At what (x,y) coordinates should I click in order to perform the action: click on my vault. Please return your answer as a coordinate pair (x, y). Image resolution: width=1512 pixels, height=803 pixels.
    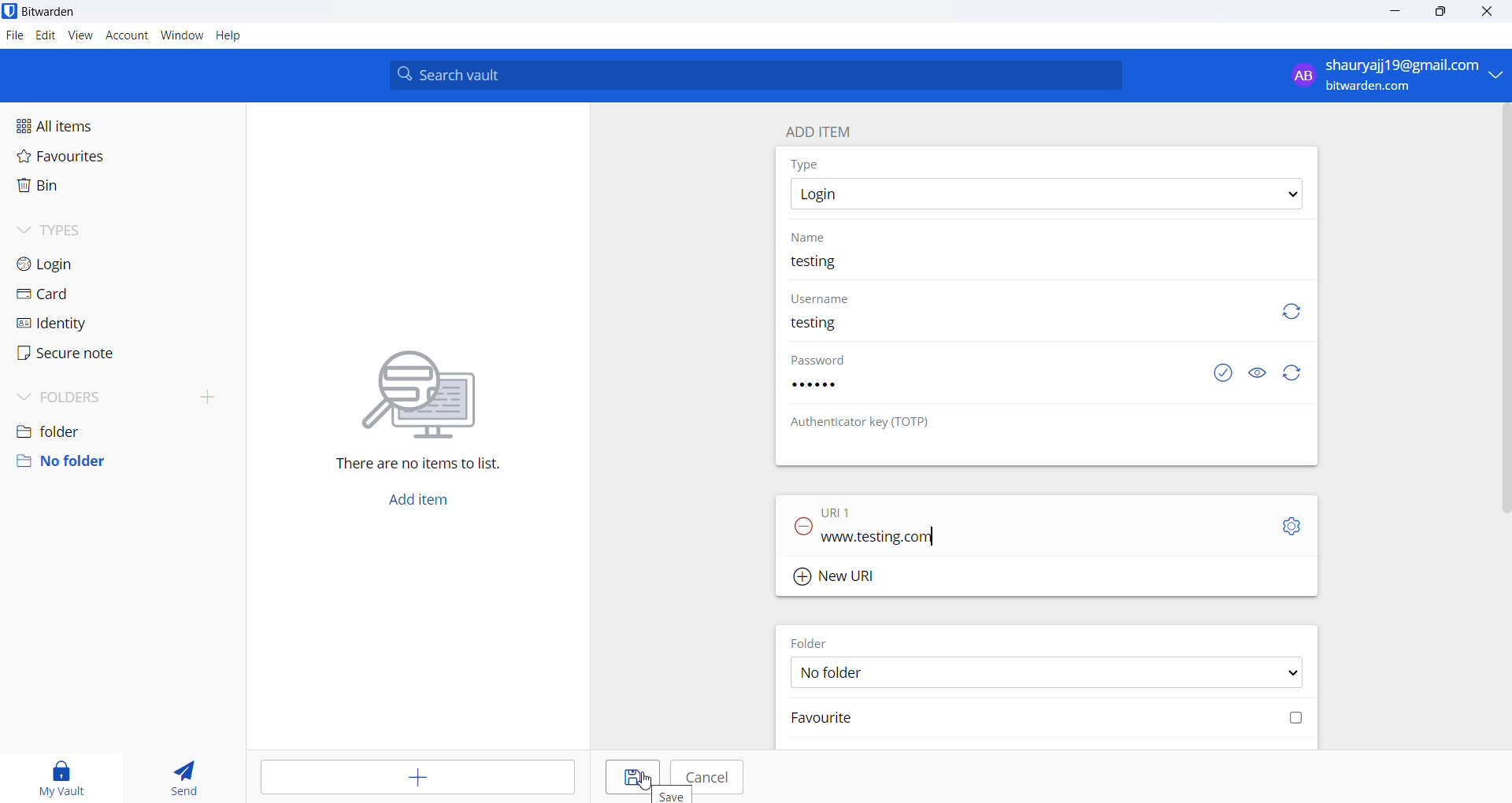
    Looking at the image, I should click on (62, 774).